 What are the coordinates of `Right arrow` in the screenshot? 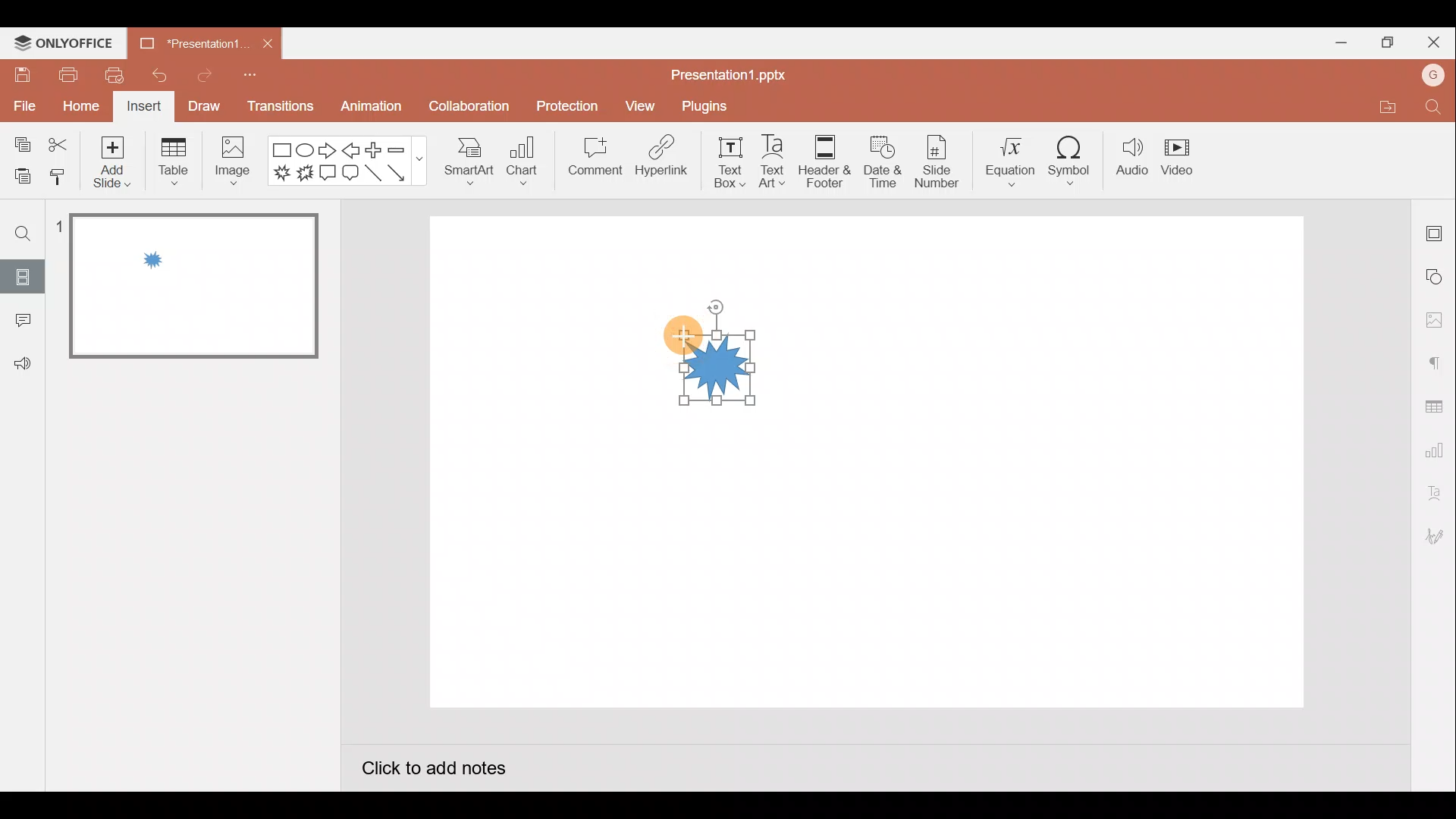 It's located at (326, 152).